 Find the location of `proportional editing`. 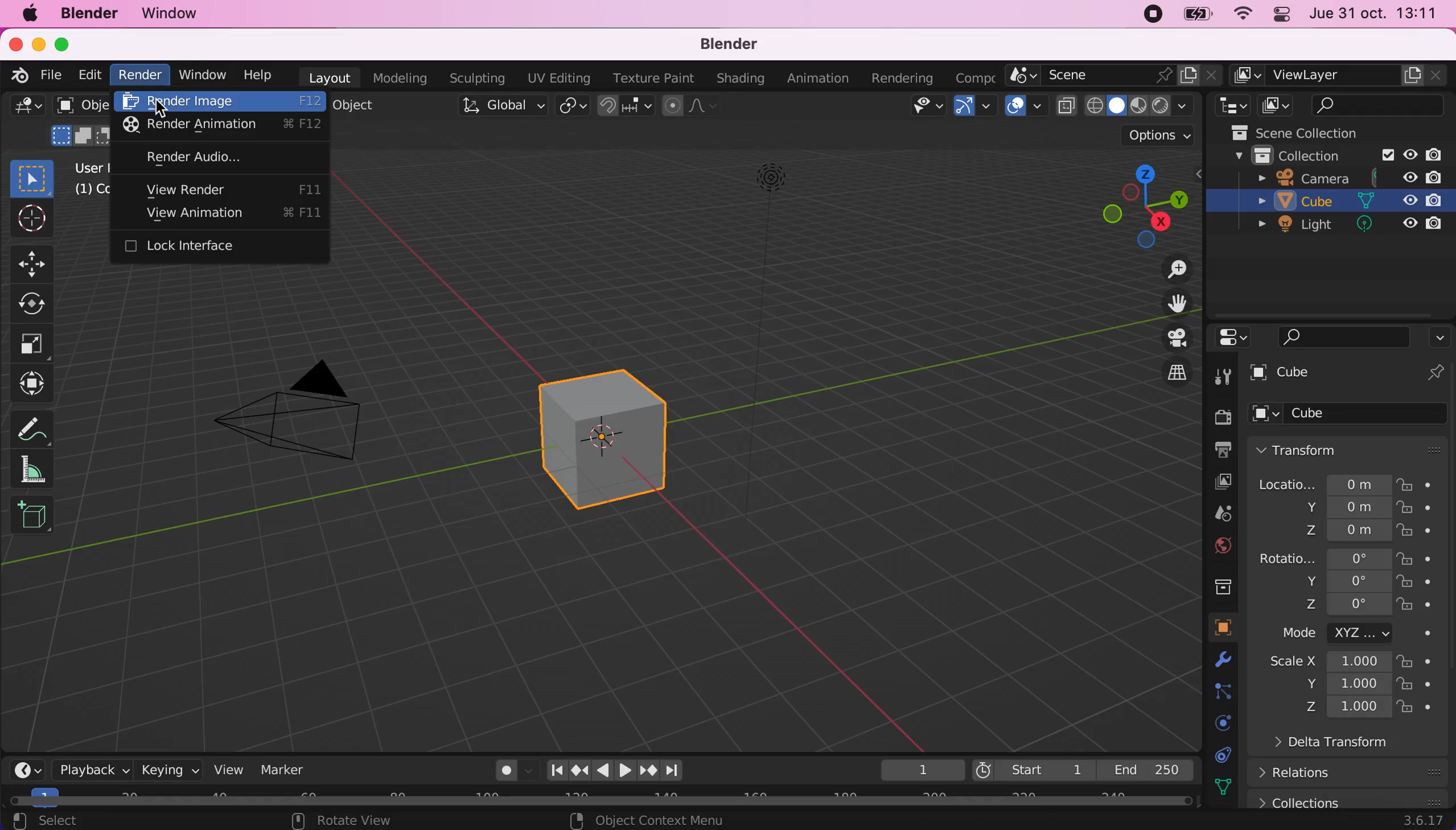

proportional editing is located at coordinates (701, 107).